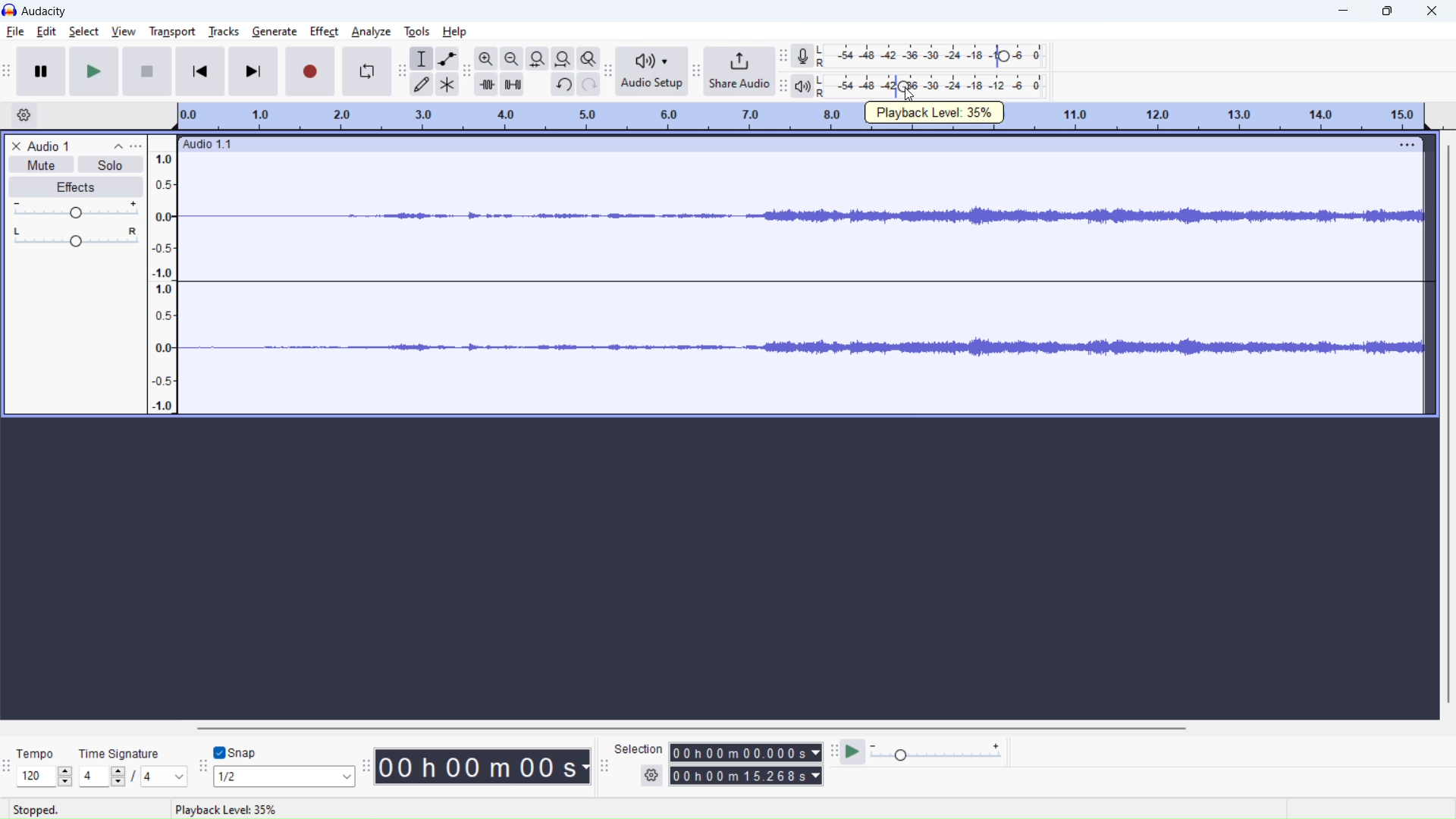 The image size is (1456, 819). I want to click on close, so click(1431, 11).